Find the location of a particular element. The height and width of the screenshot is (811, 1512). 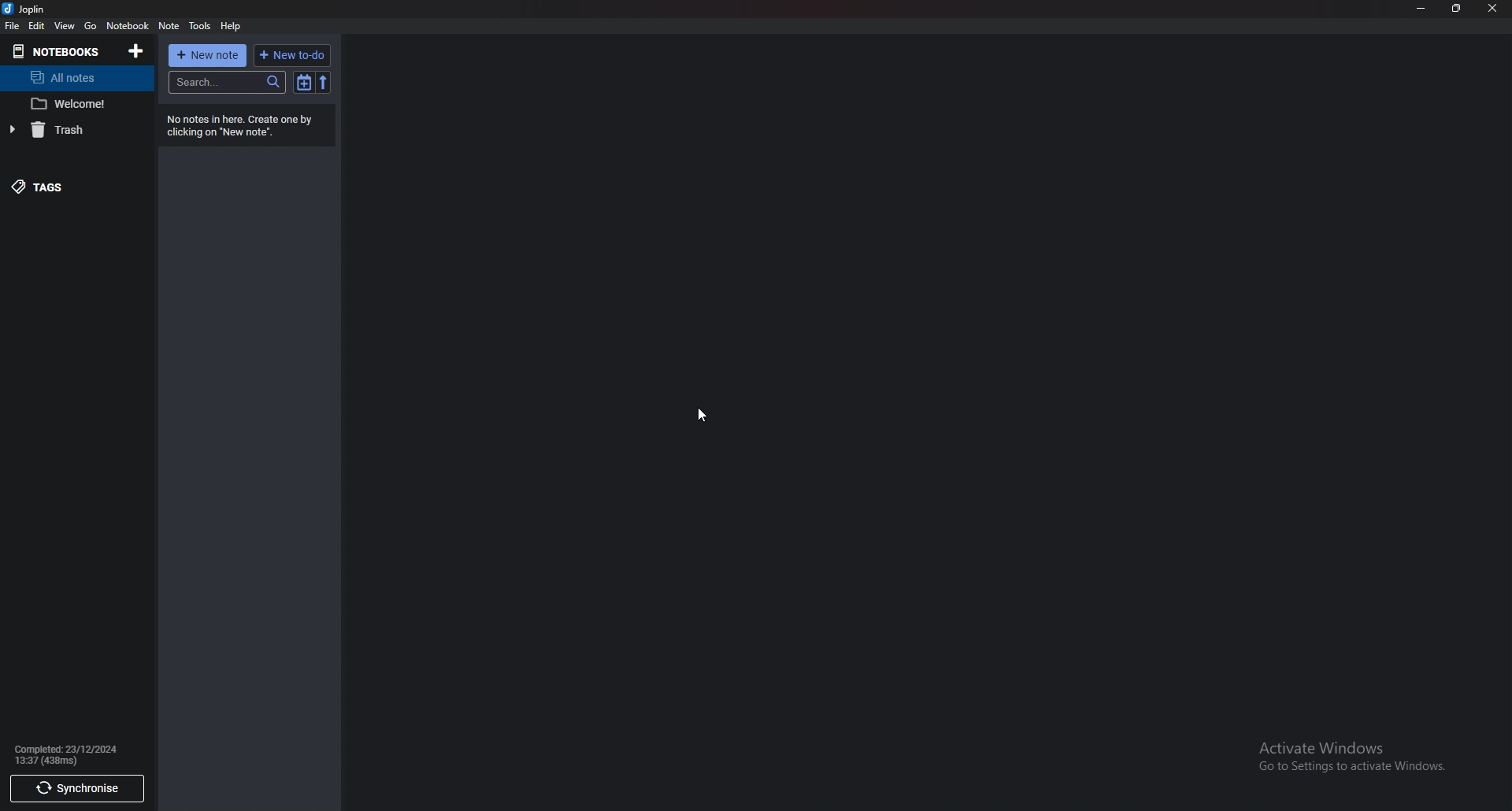

Minimize is located at coordinates (1420, 8).